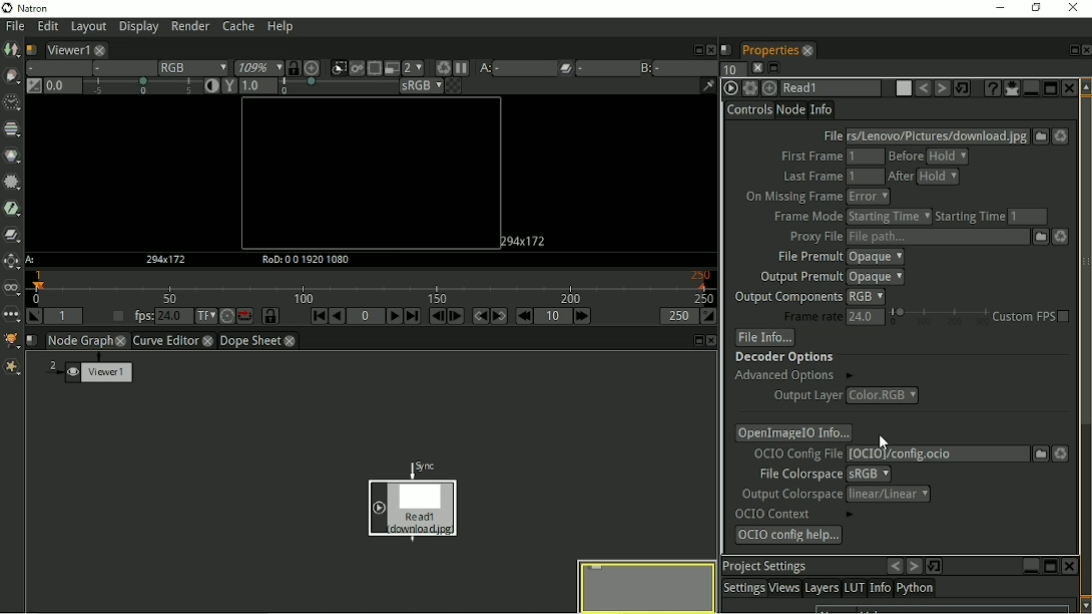 This screenshot has width=1092, height=614. I want to click on close, so click(1071, 564).